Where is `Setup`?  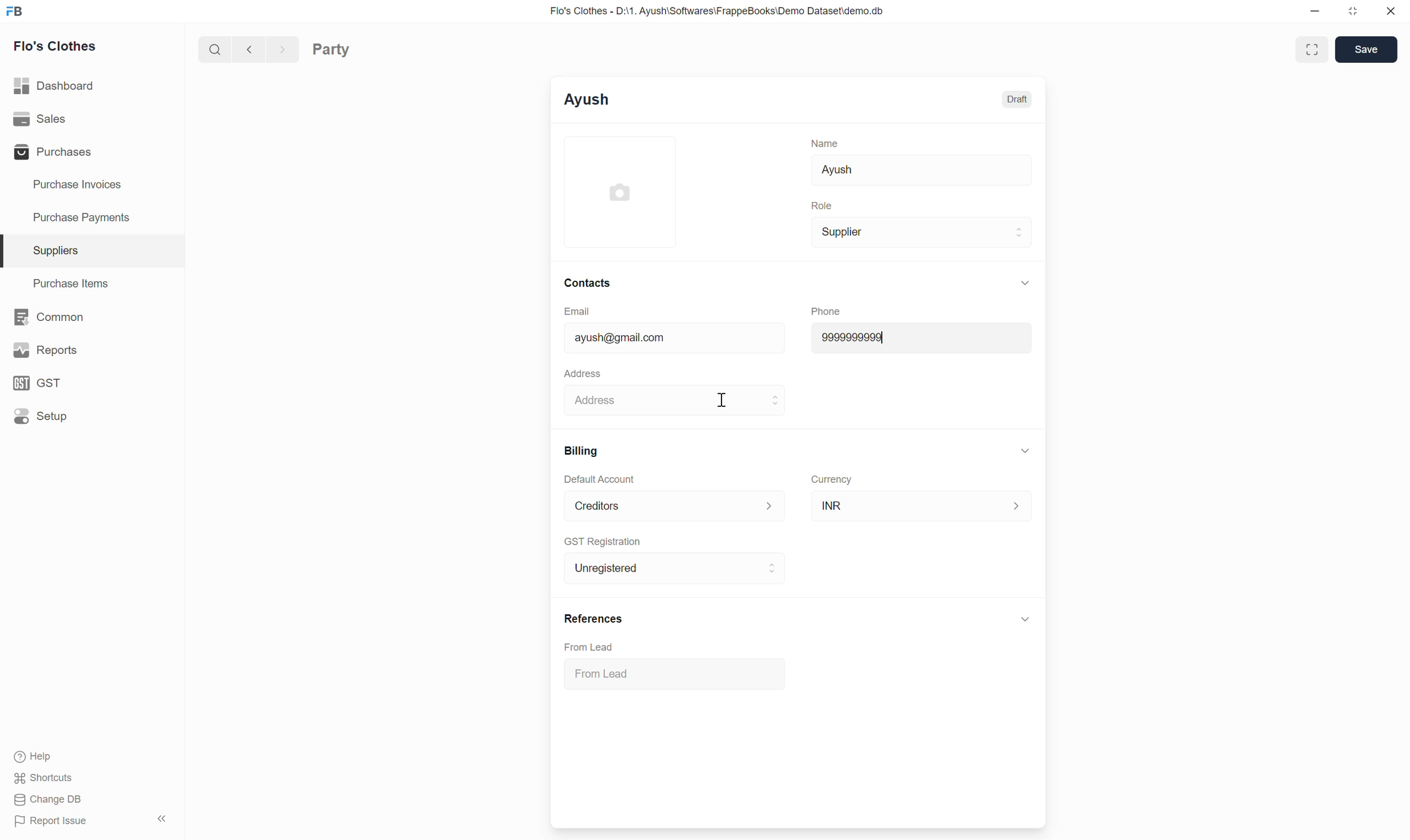
Setup is located at coordinates (91, 416).